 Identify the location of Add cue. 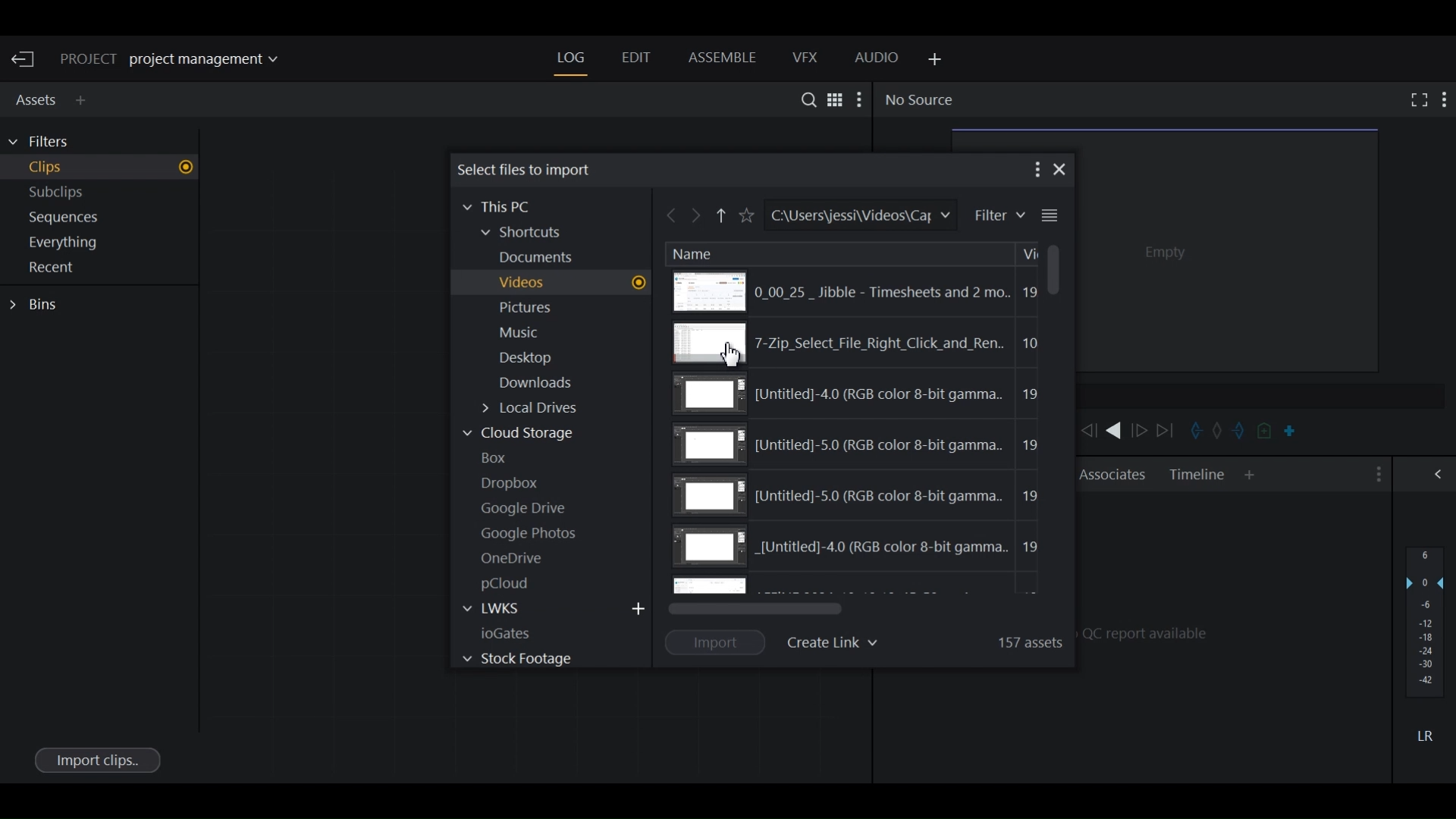
(1266, 432).